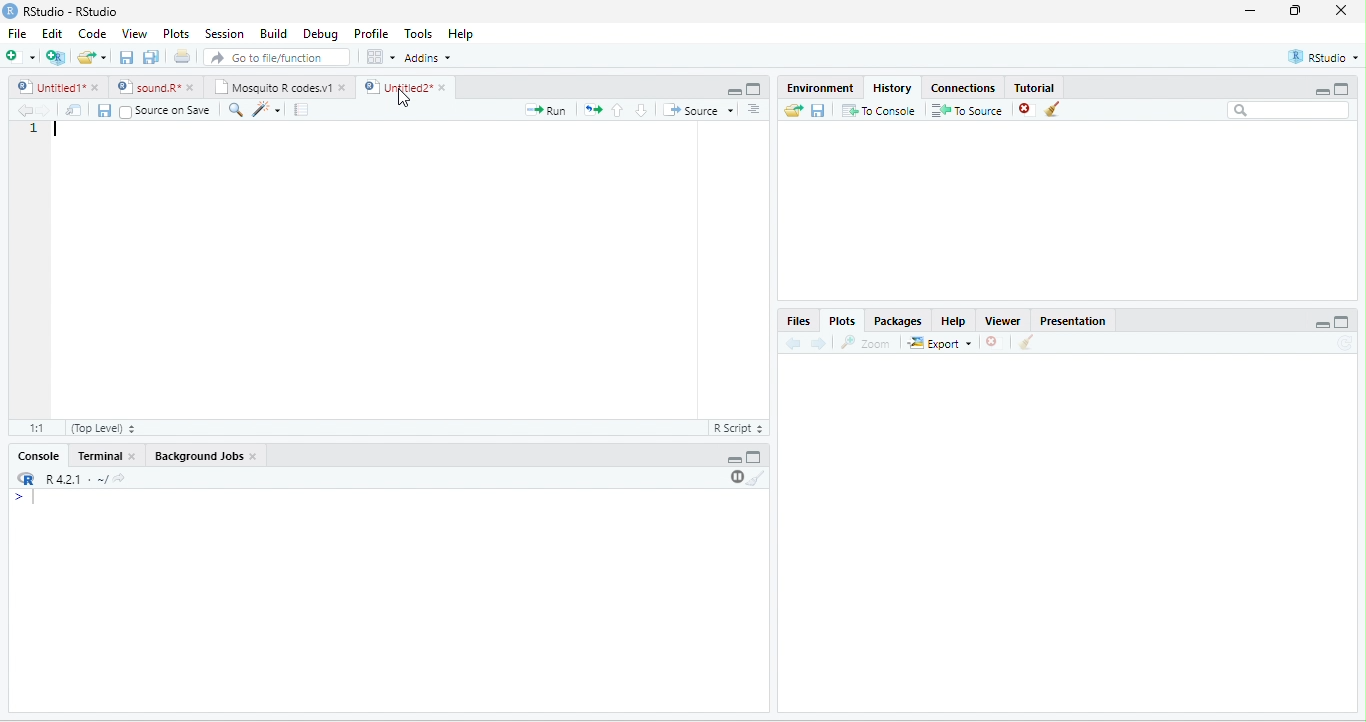 This screenshot has height=722, width=1366. Describe the element at coordinates (757, 478) in the screenshot. I see `clear` at that location.